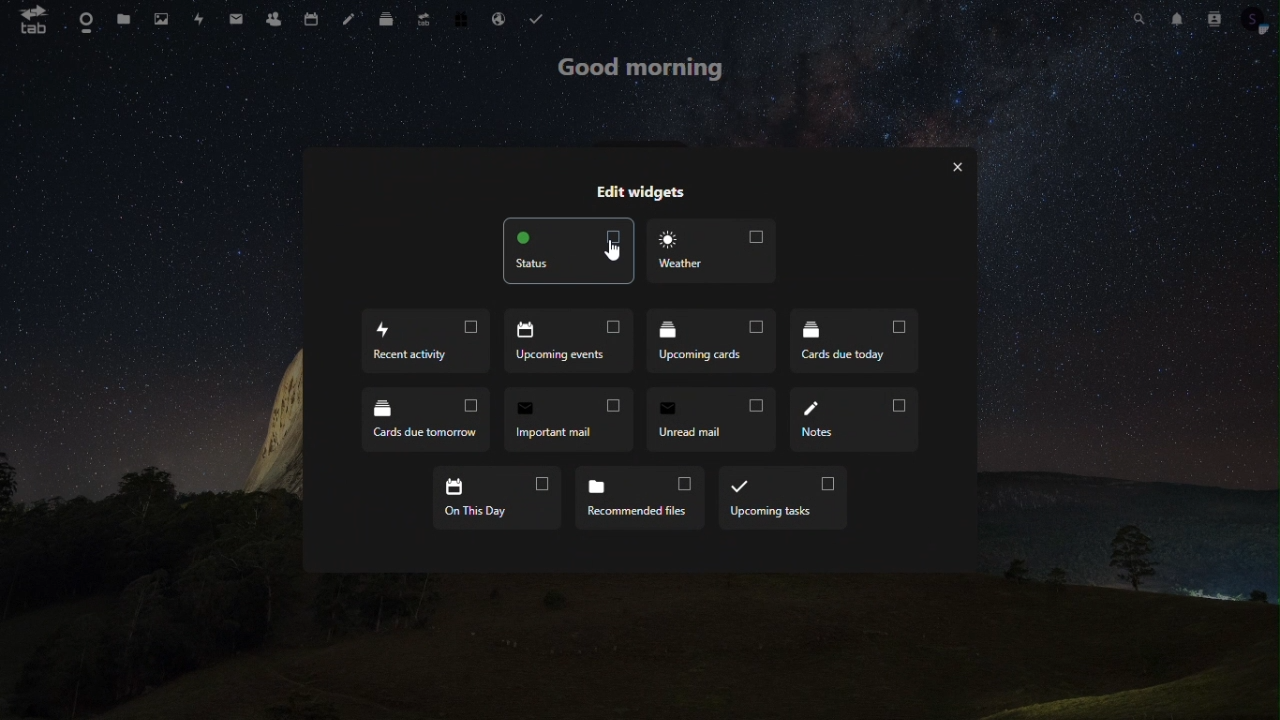  I want to click on Cursor, so click(611, 253).